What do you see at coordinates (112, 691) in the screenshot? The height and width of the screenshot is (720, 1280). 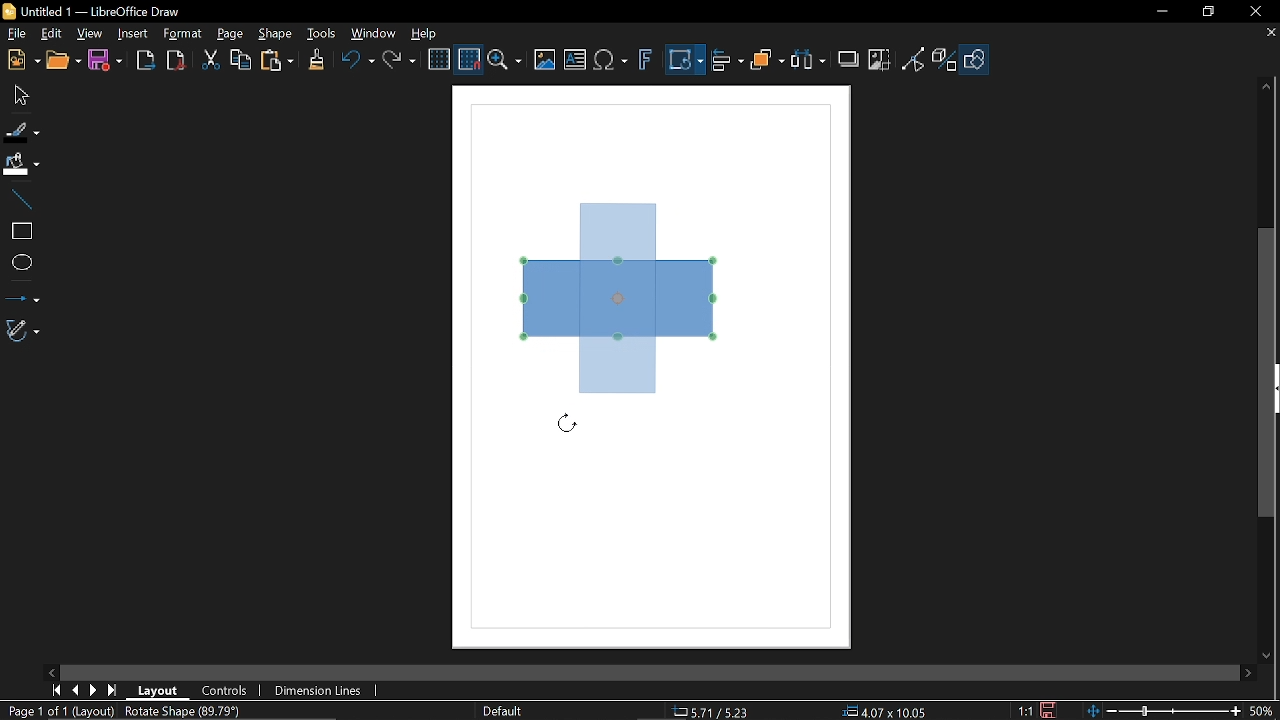 I see `Last page` at bounding box center [112, 691].